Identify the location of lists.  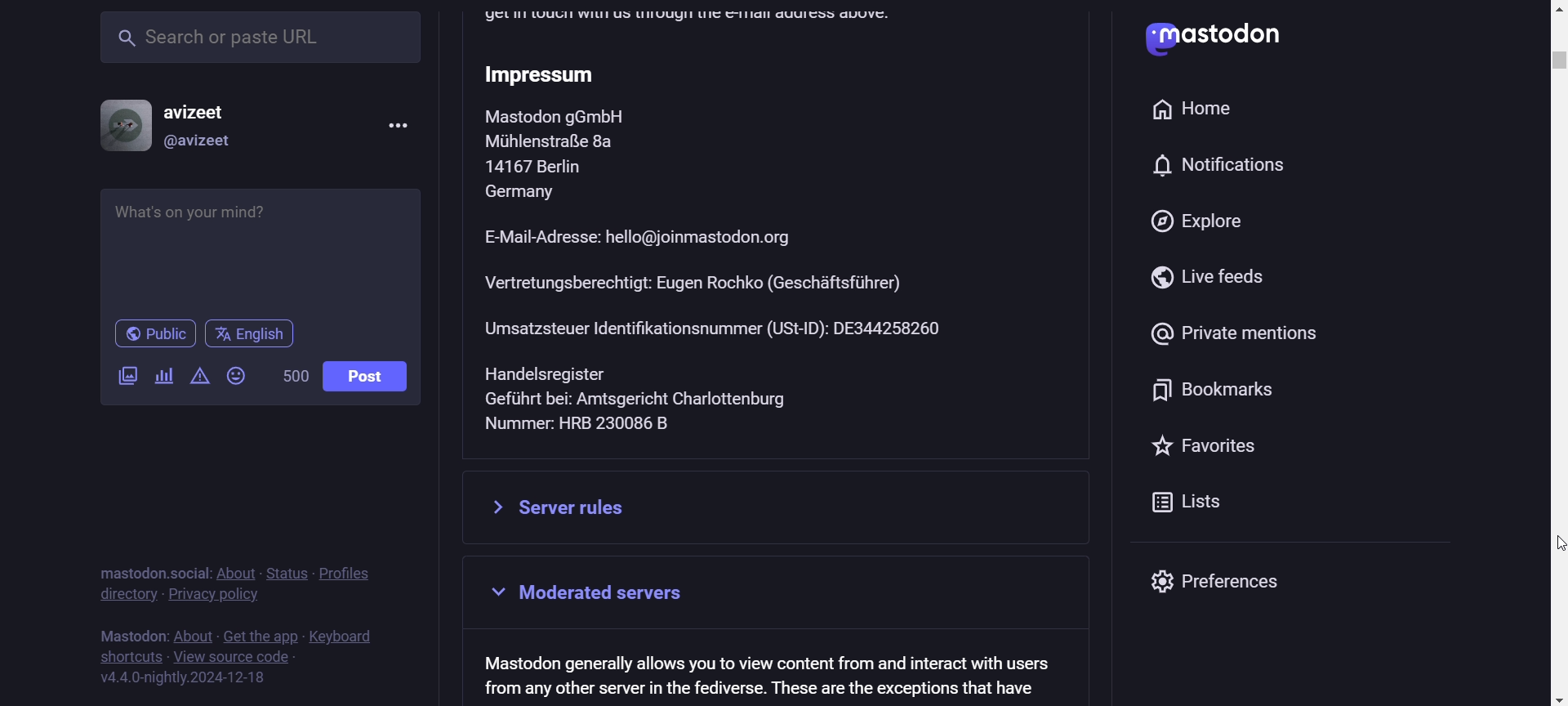
(1143, 504).